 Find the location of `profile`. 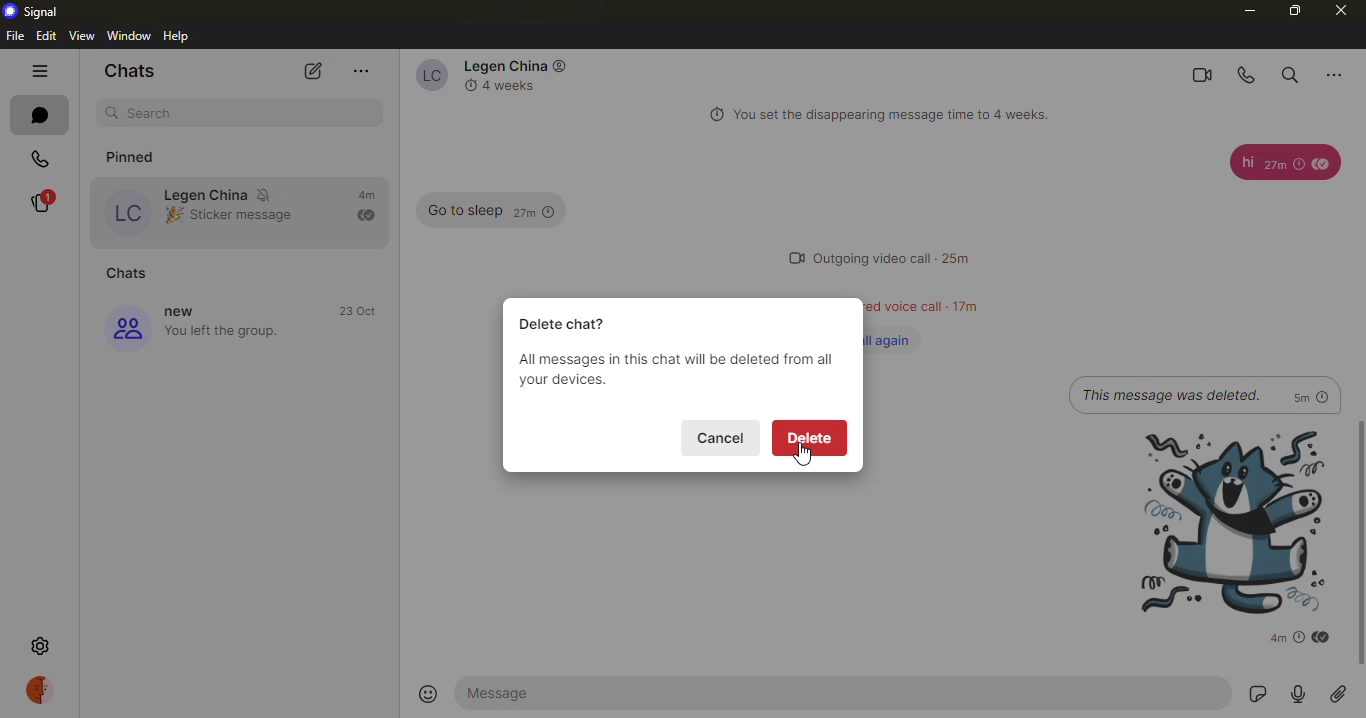

profile is located at coordinates (425, 75).